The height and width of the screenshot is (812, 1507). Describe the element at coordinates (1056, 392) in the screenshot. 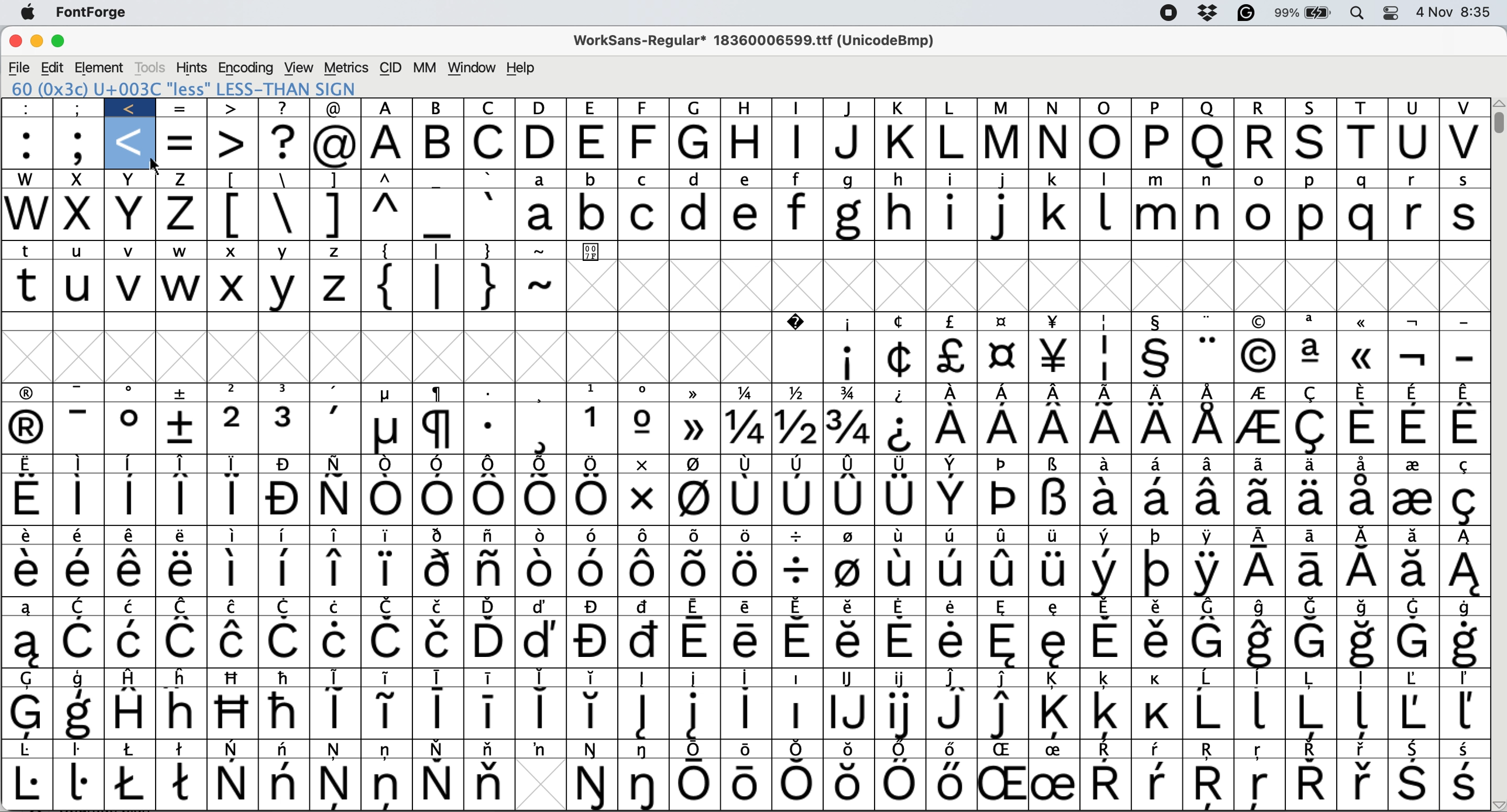

I see `Symbol` at that location.